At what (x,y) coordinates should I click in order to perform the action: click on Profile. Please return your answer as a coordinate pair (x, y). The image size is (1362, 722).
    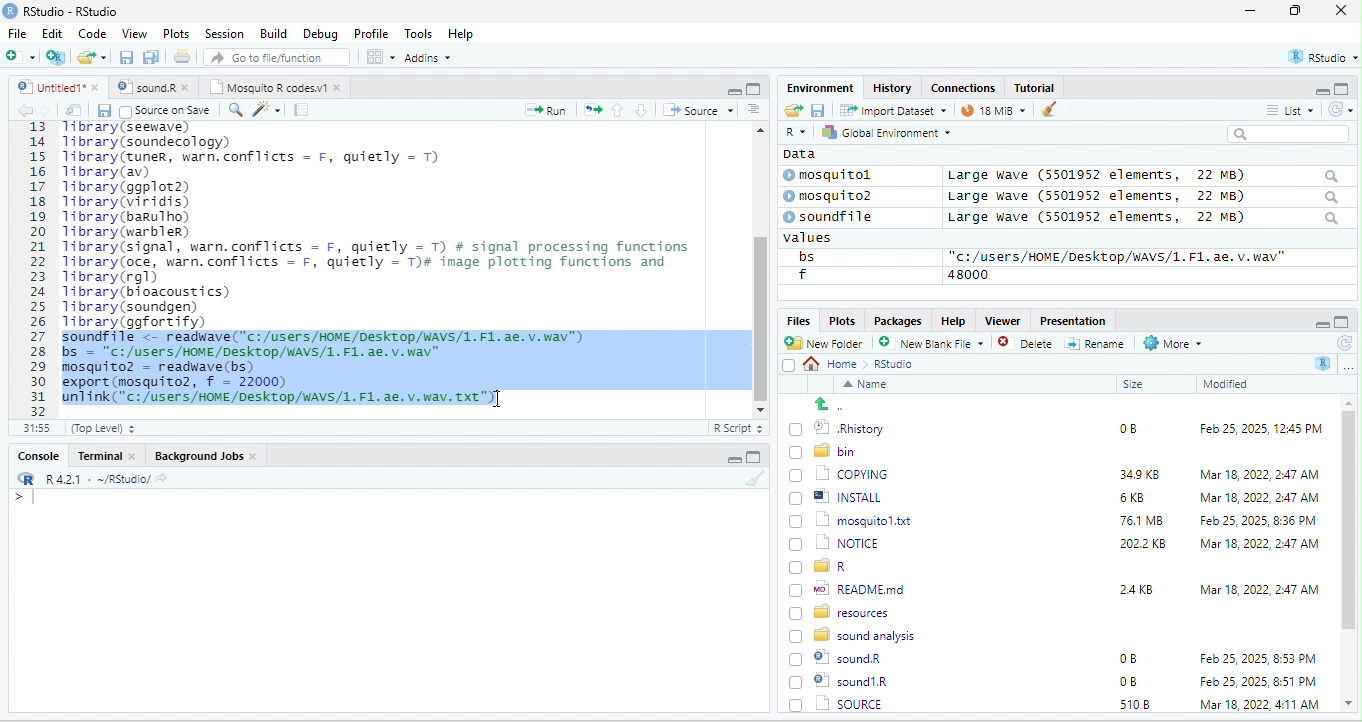
    Looking at the image, I should click on (371, 34).